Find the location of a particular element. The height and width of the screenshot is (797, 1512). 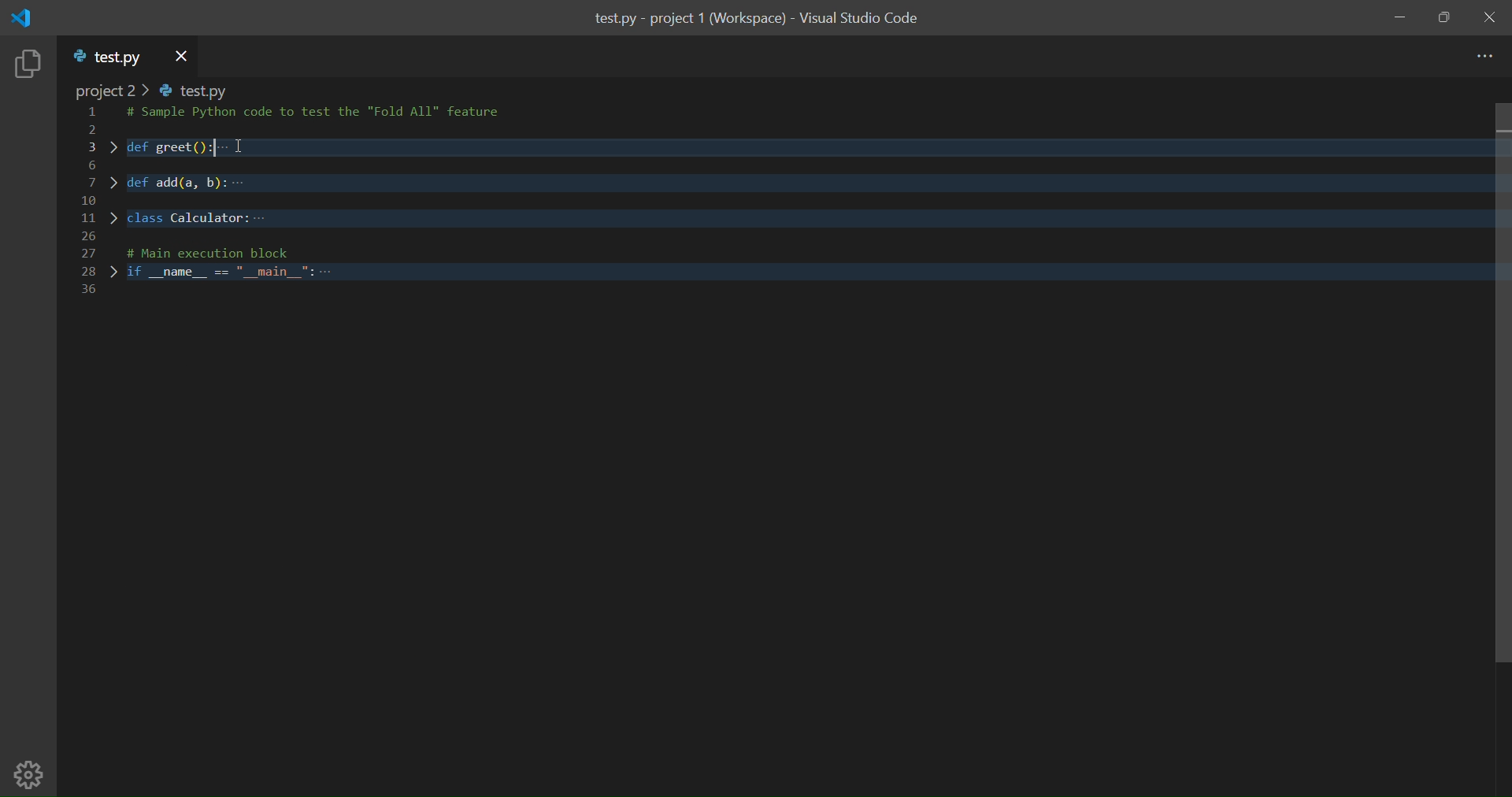

minimize is located at coordinates (1400, 19).